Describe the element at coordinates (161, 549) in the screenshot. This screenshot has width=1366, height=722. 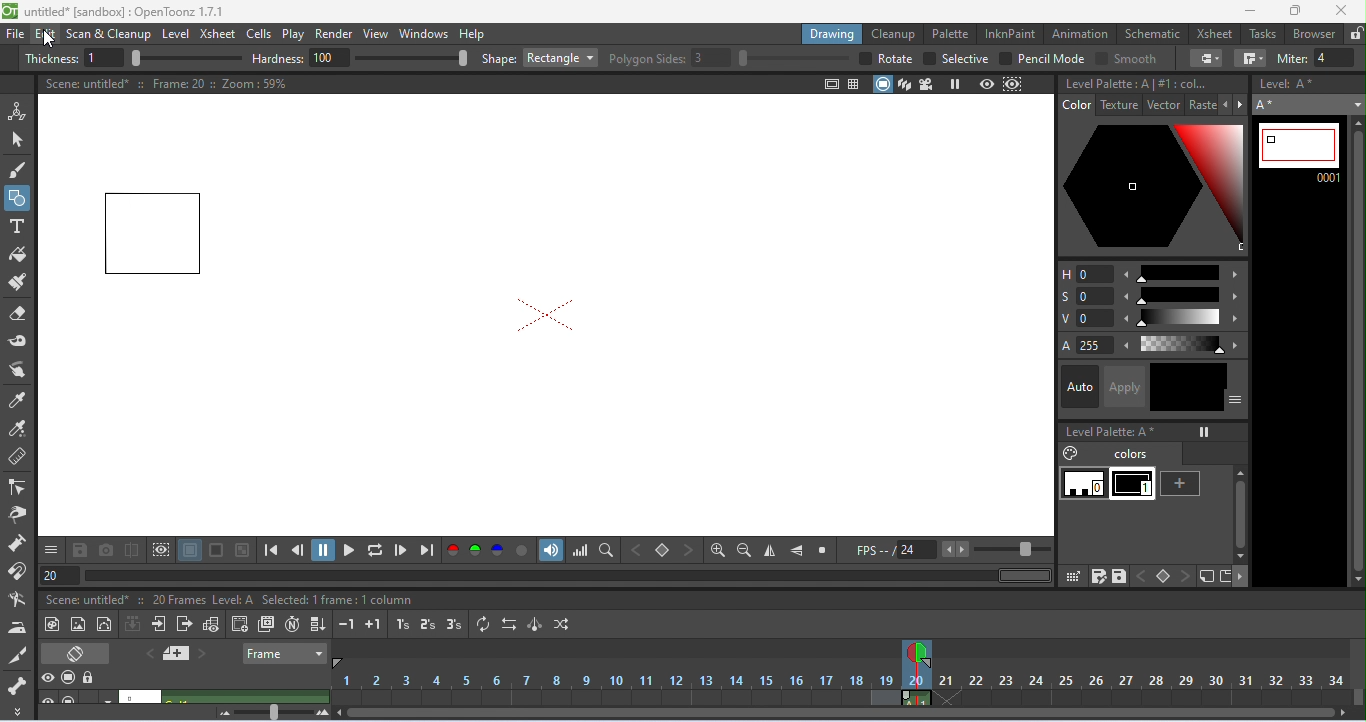
I see `define sub camera` at that location.